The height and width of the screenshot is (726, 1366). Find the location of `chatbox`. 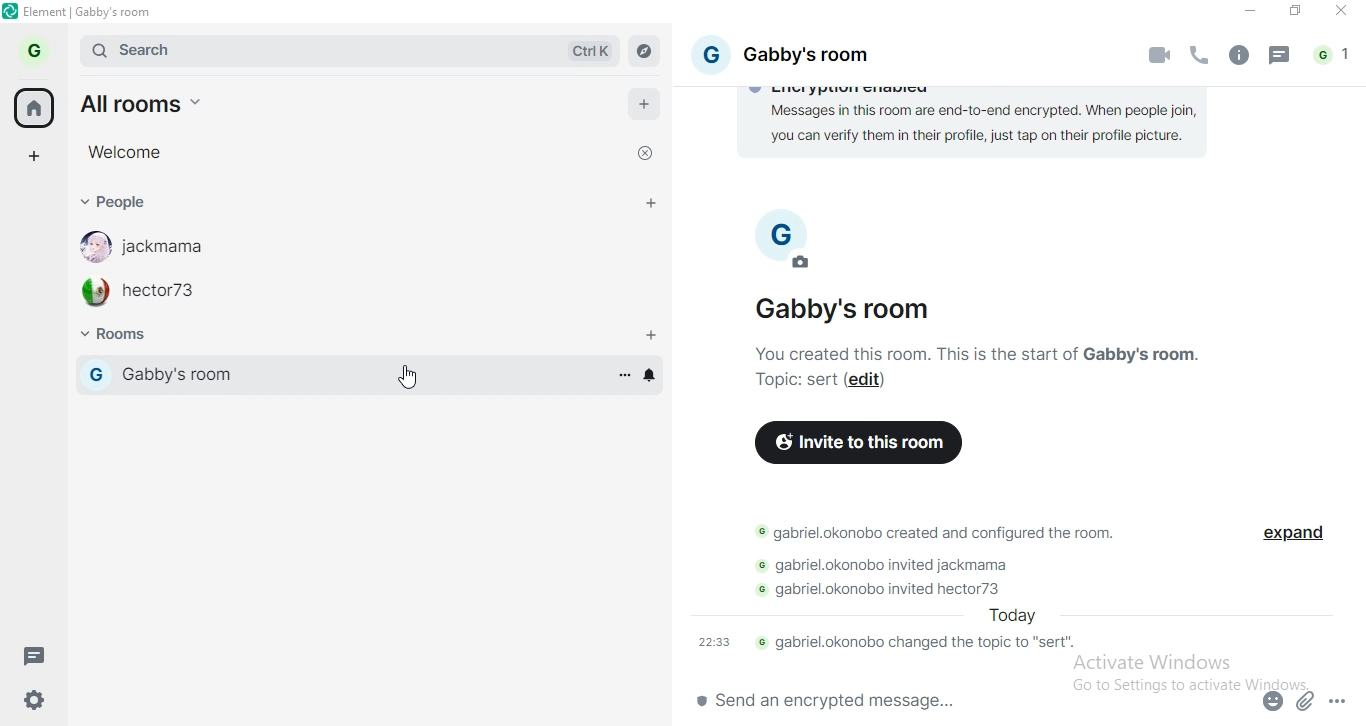

chatbox is located at coordinates (959, 703).